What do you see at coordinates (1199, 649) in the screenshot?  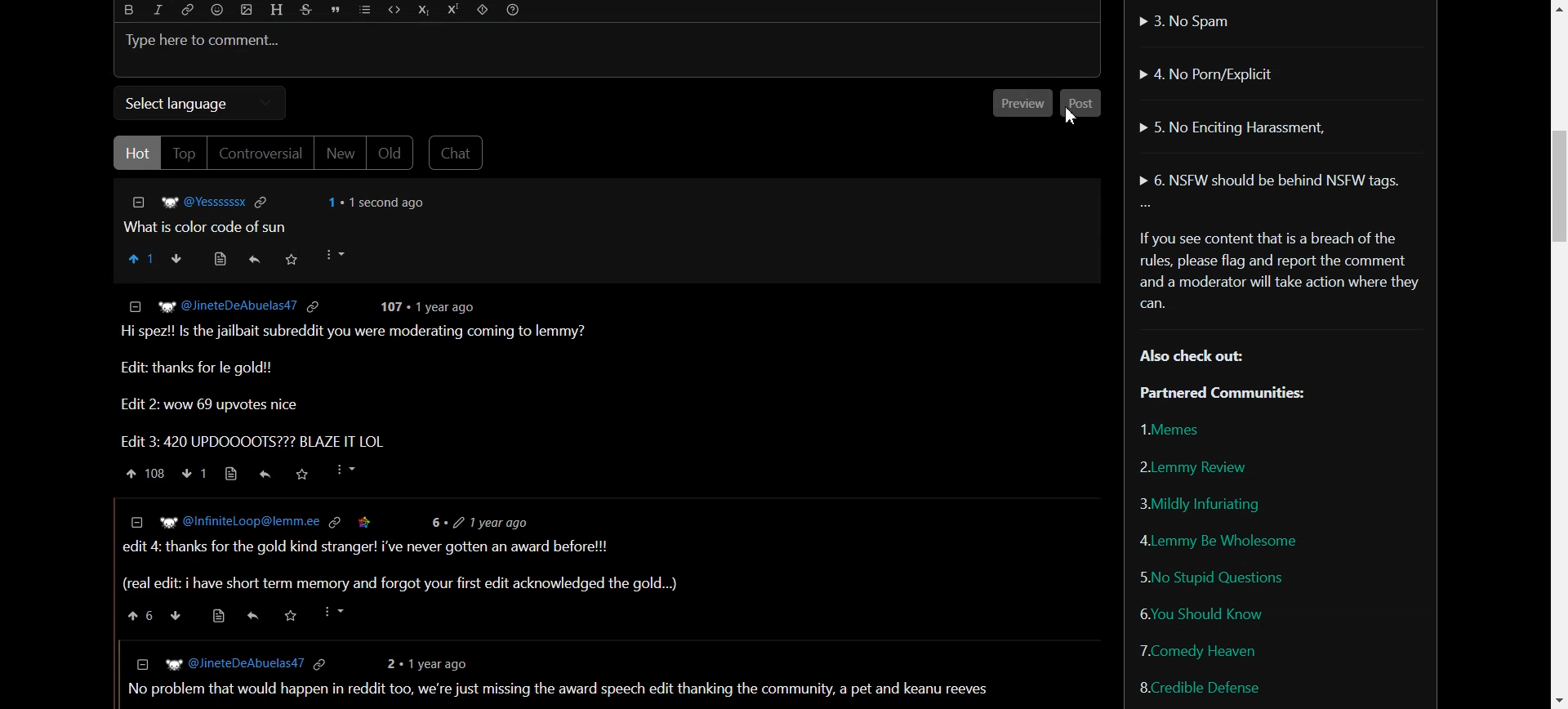 I see `Comedy Heaven` at bounding box center [1199, 649].